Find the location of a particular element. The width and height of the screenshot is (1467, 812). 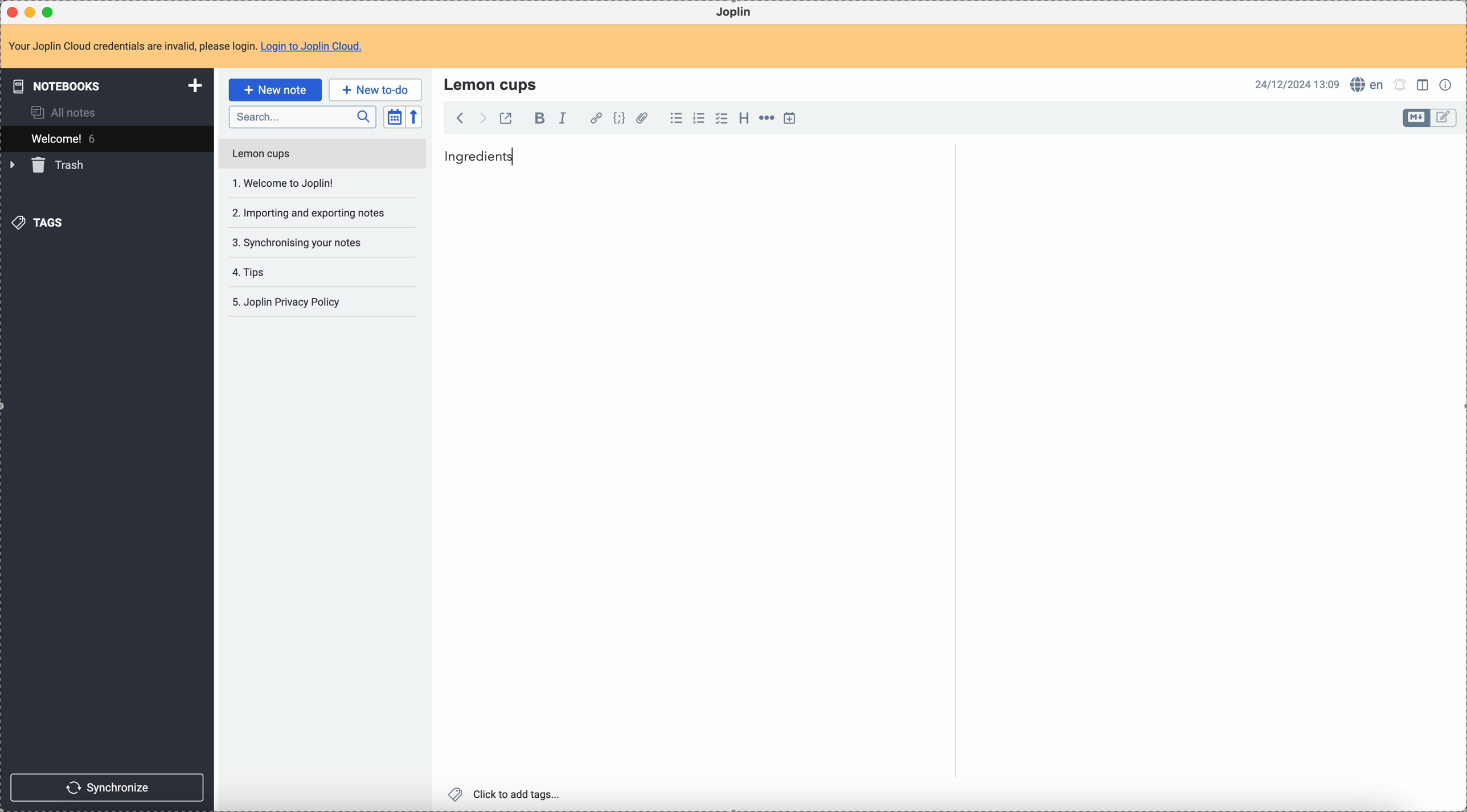

welcome is located at coordinates (106, 138).